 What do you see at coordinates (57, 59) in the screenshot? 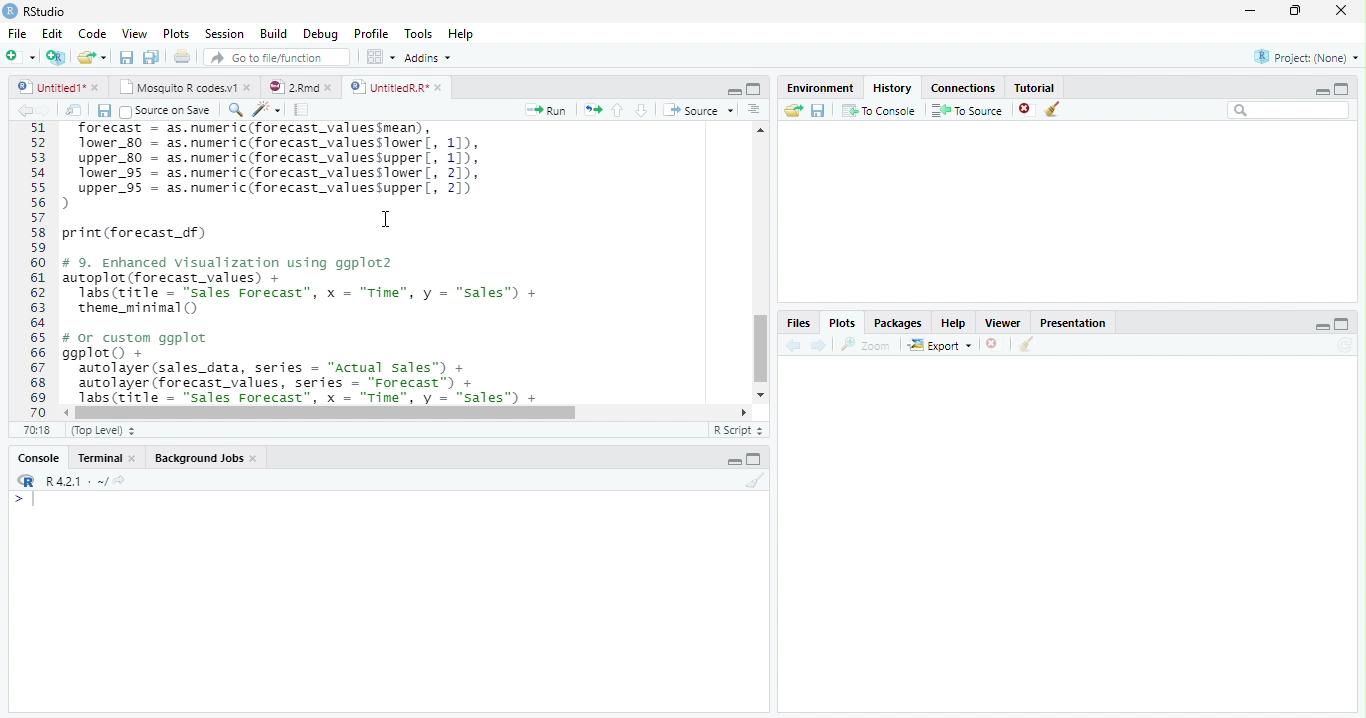
I see `Create a project` at bounding box center [57, 59].